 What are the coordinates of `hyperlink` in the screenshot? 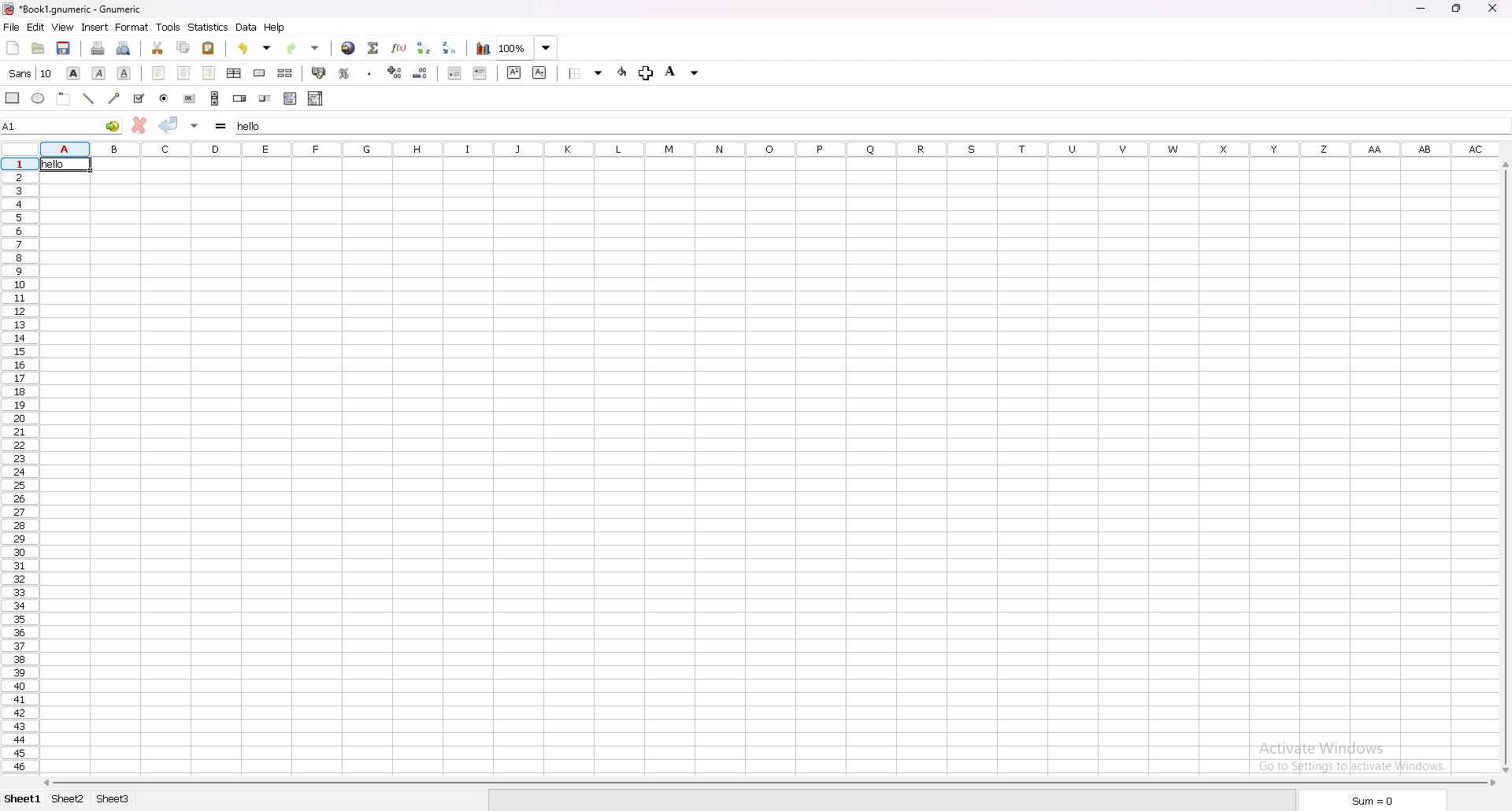 It's located at (350, 48).